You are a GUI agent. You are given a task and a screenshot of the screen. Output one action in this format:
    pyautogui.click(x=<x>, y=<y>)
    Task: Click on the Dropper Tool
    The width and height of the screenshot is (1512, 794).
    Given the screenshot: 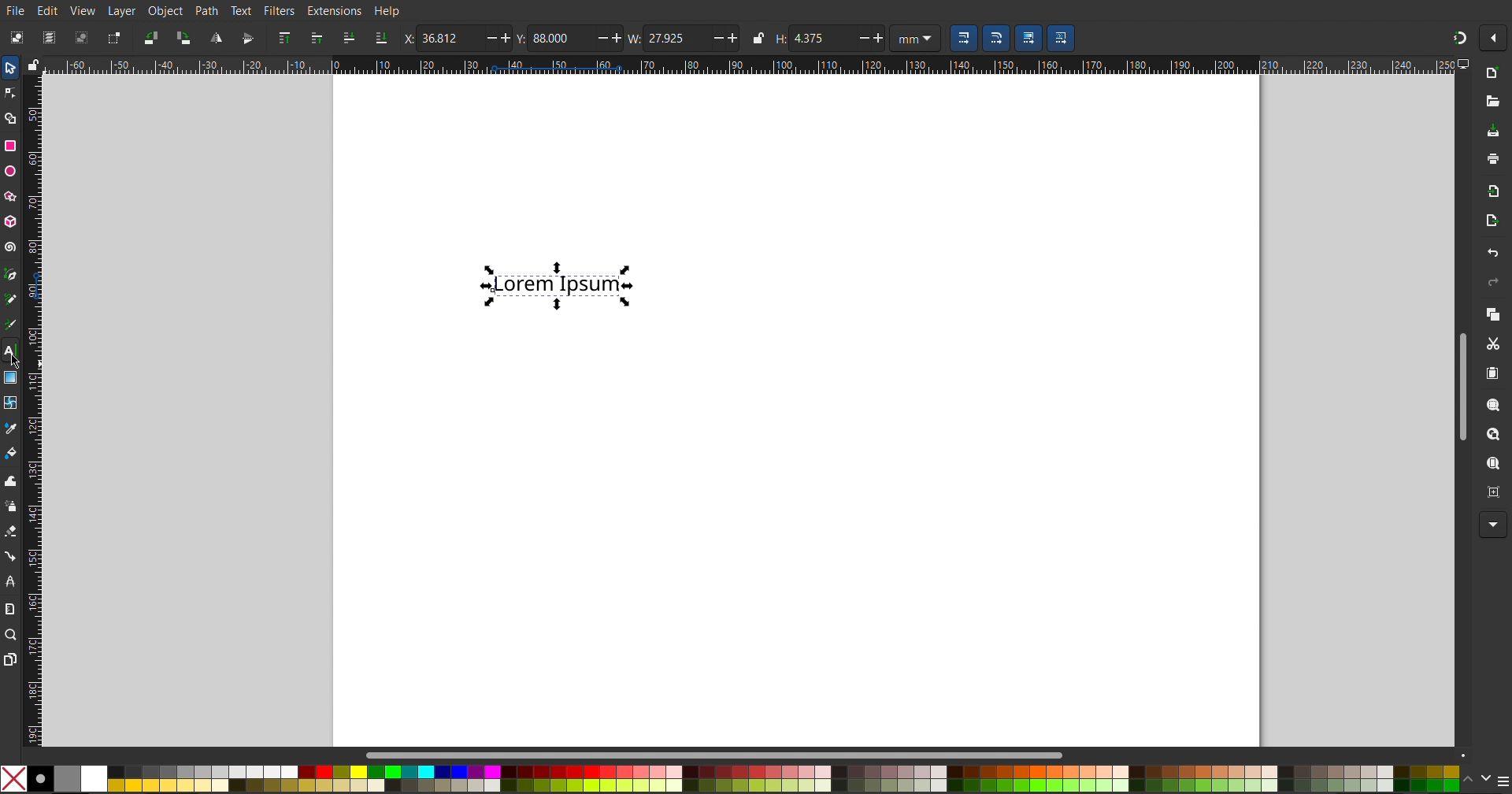 What is the action you would take?
    pyautogui.click(x=11, y=425)
    